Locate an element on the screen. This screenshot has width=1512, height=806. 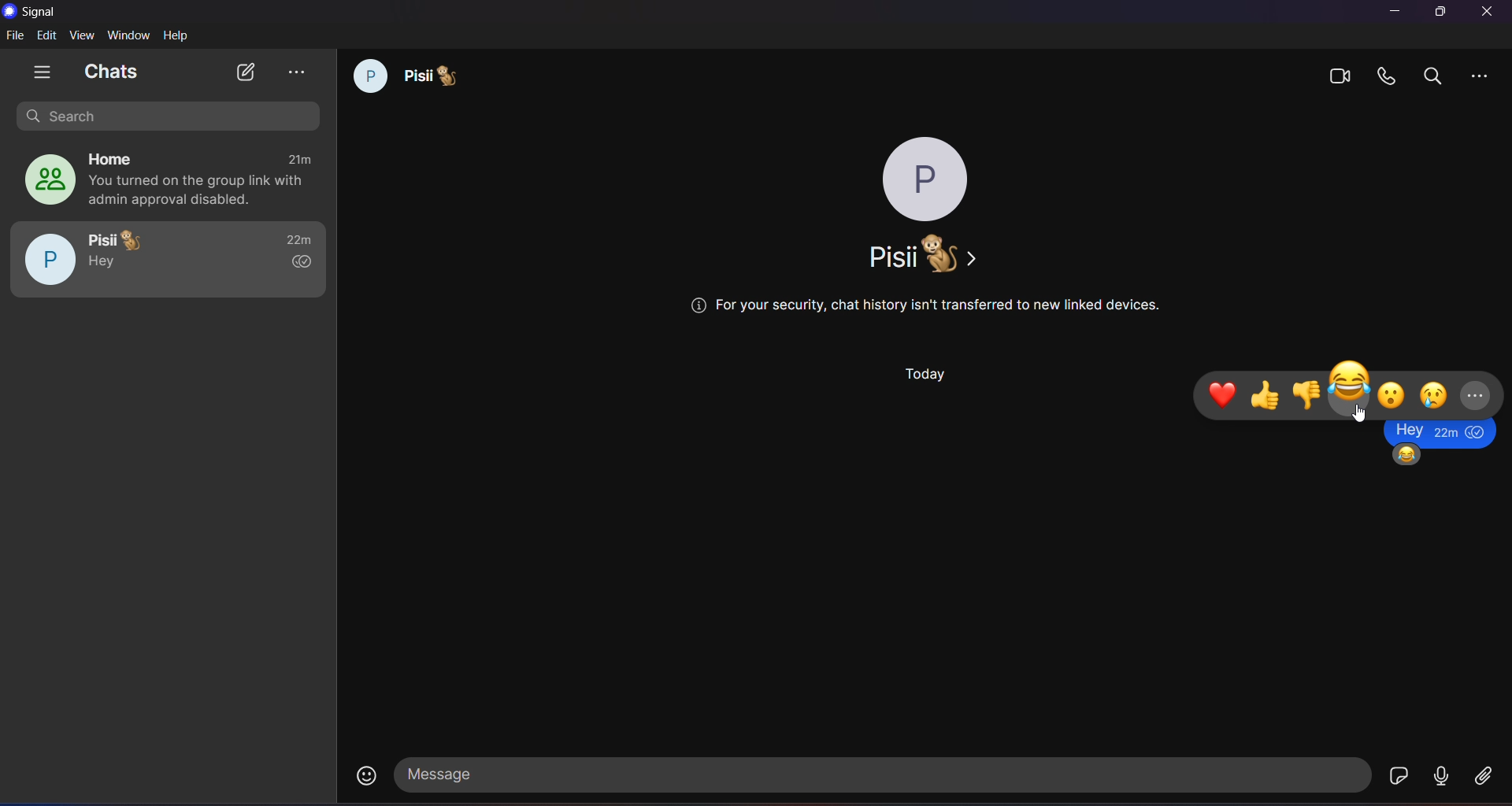
search is located at coordinates (163, 116).